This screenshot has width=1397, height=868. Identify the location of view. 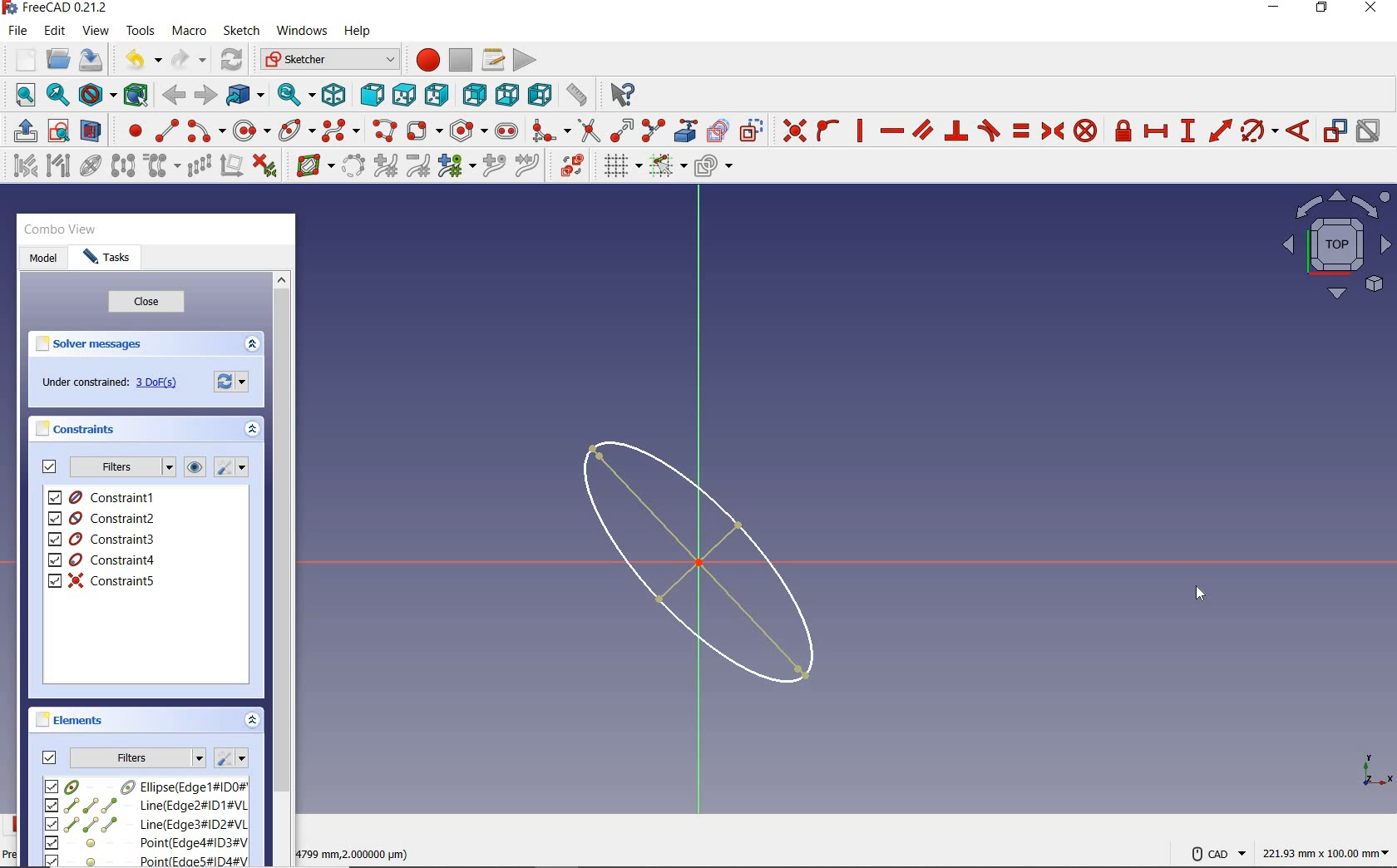
(97, 30).